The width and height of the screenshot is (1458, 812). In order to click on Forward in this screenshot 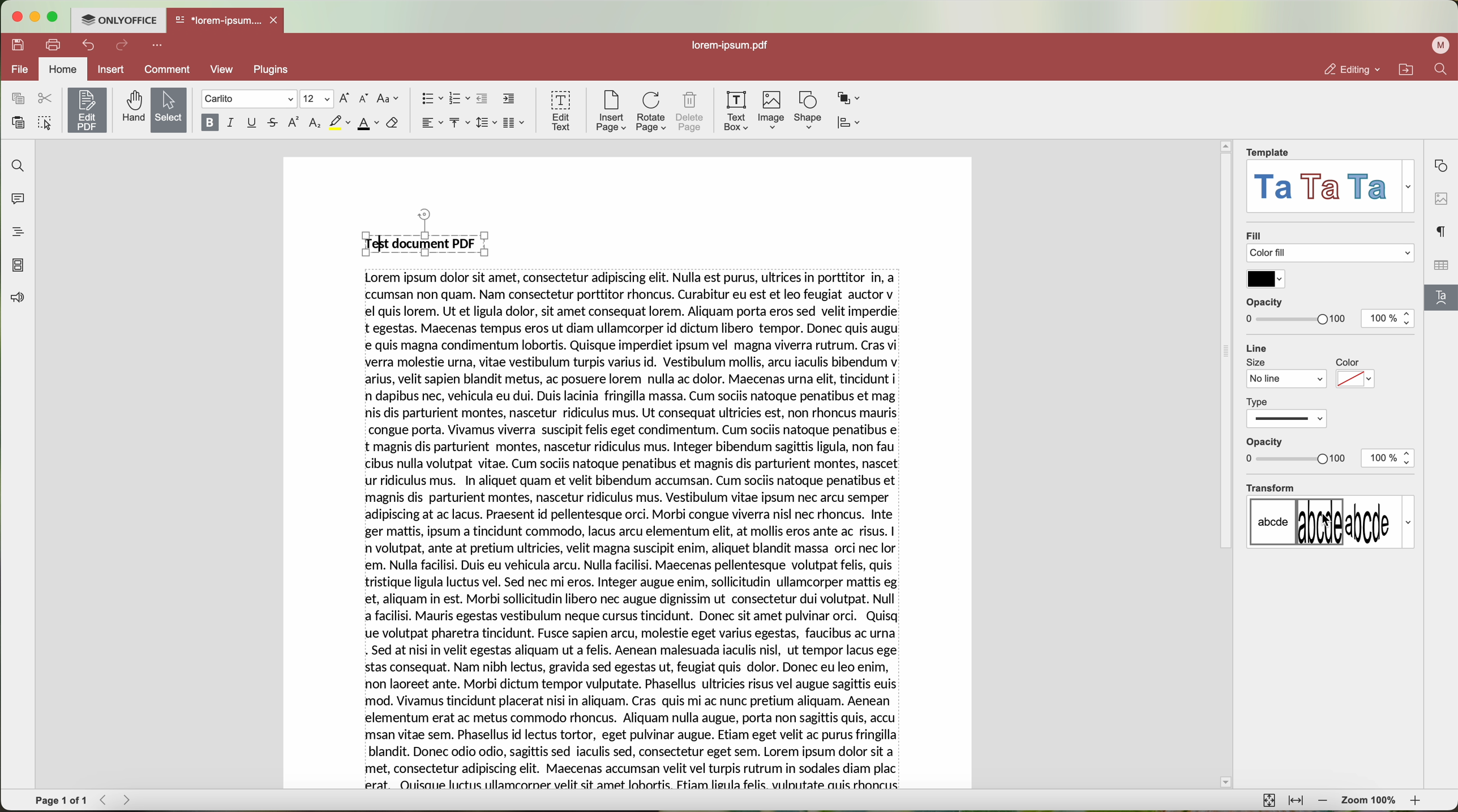, I will do `click(130, 800)`.